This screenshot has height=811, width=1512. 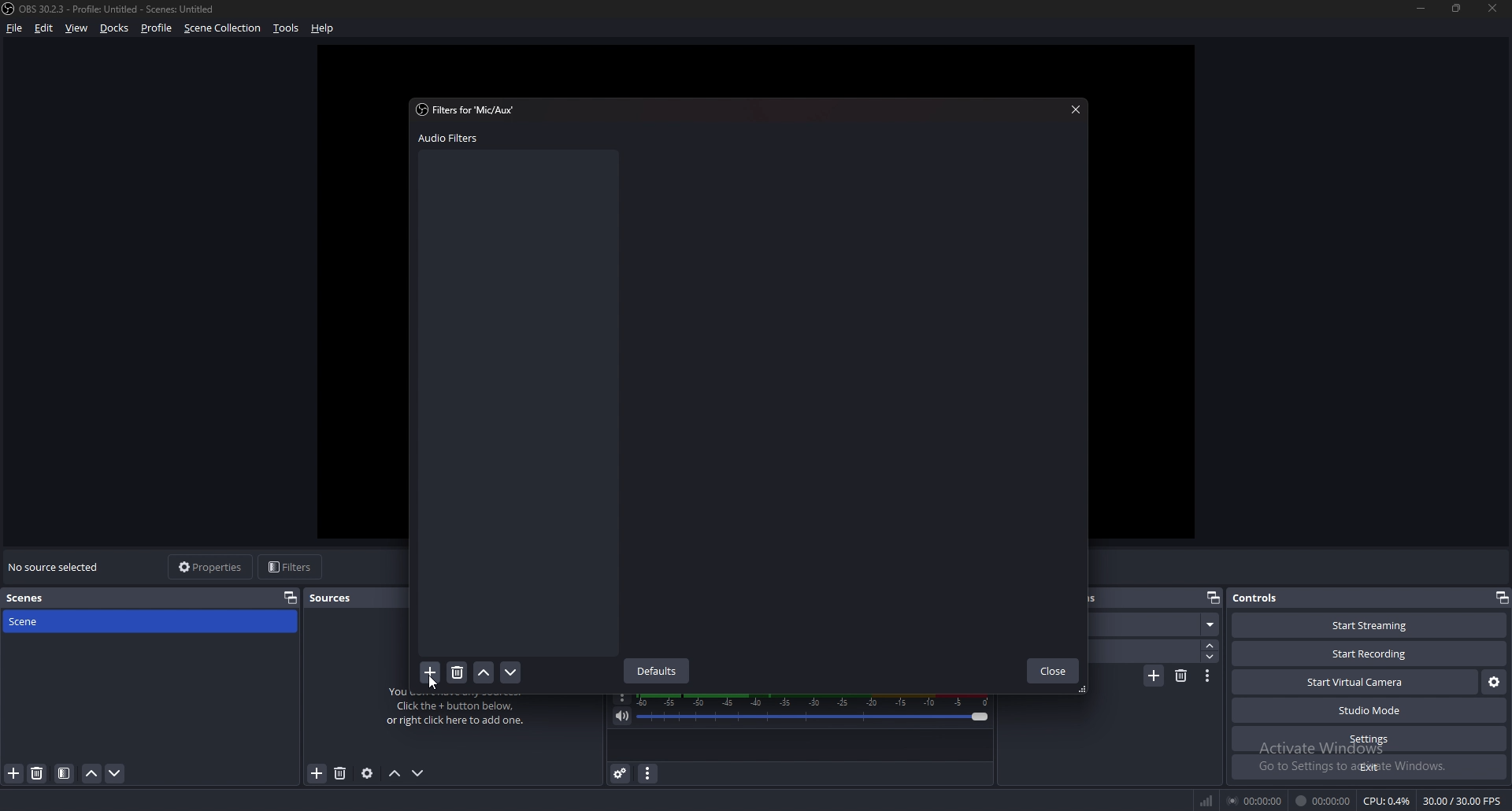 I want to click on resize, so click(x=1459, y=8).